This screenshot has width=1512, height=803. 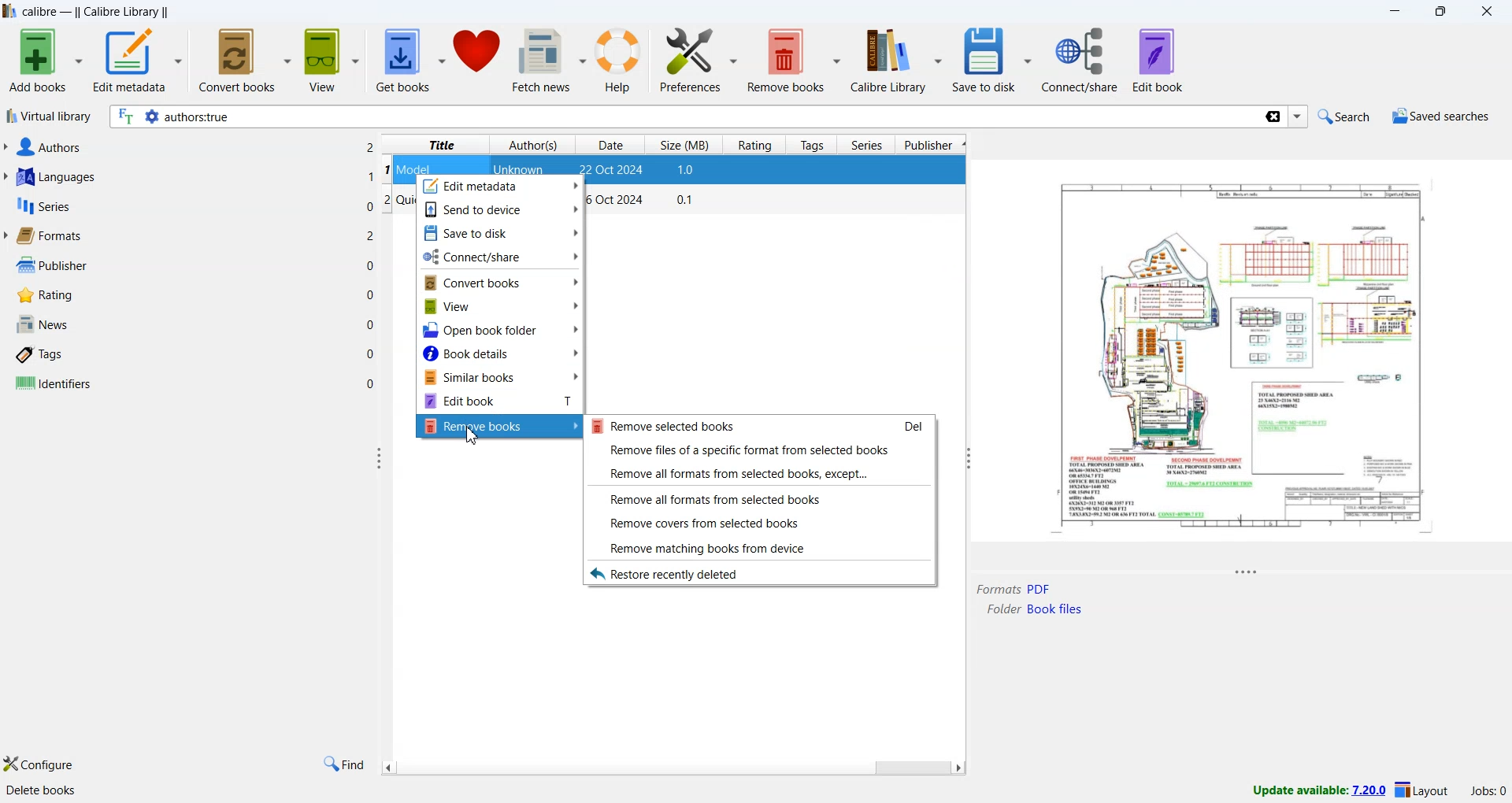 I want to click on Open book folder, so click(x=502, y=328).